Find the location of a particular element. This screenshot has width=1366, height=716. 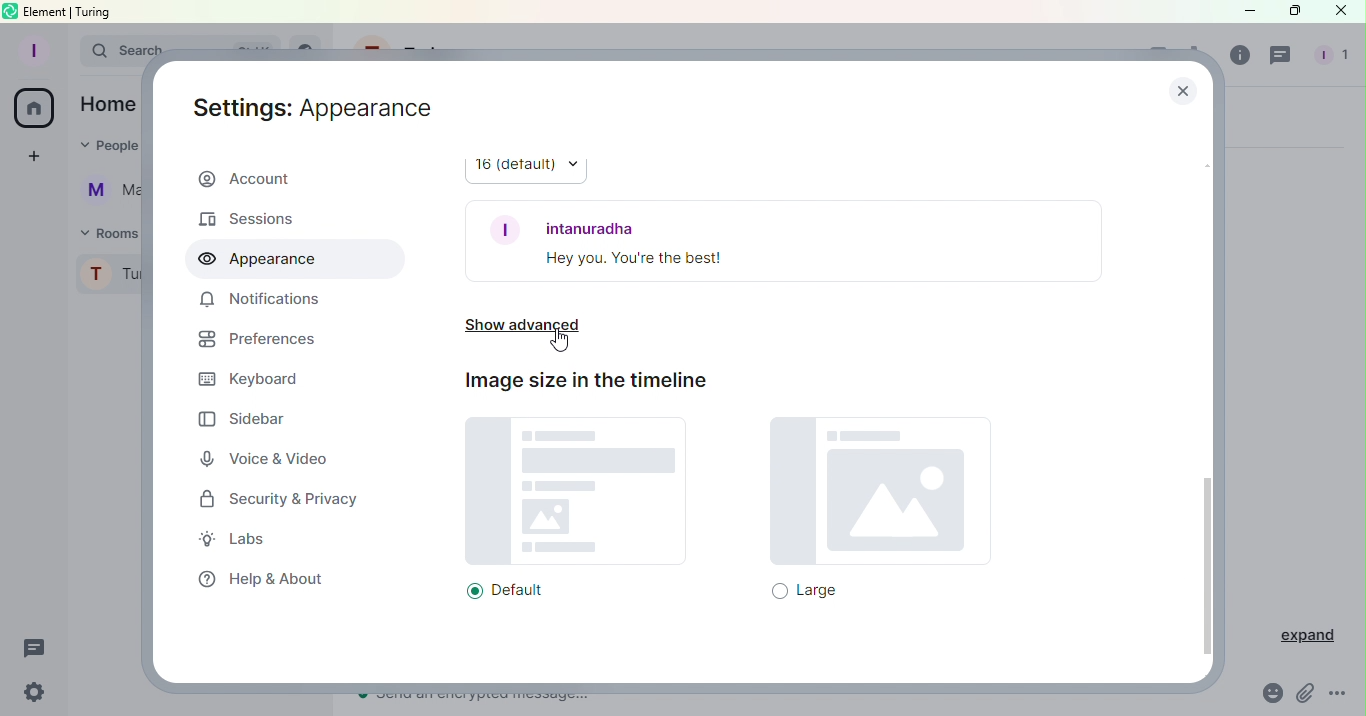

Sessions is located at coordinates (257, 219).